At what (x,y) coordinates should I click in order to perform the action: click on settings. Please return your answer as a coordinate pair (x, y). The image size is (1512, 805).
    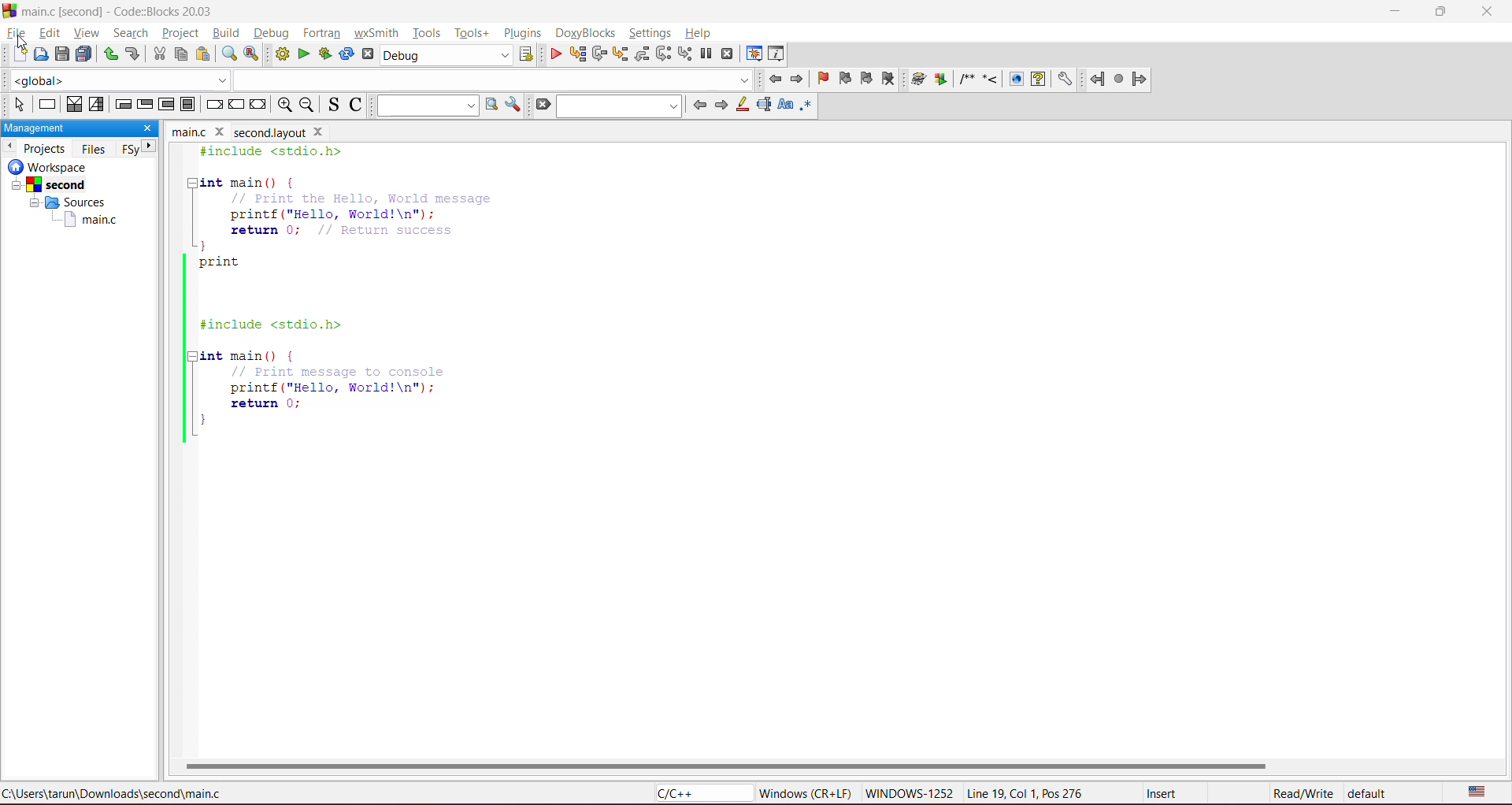
    Looking at the image, I should click on (652, 32).